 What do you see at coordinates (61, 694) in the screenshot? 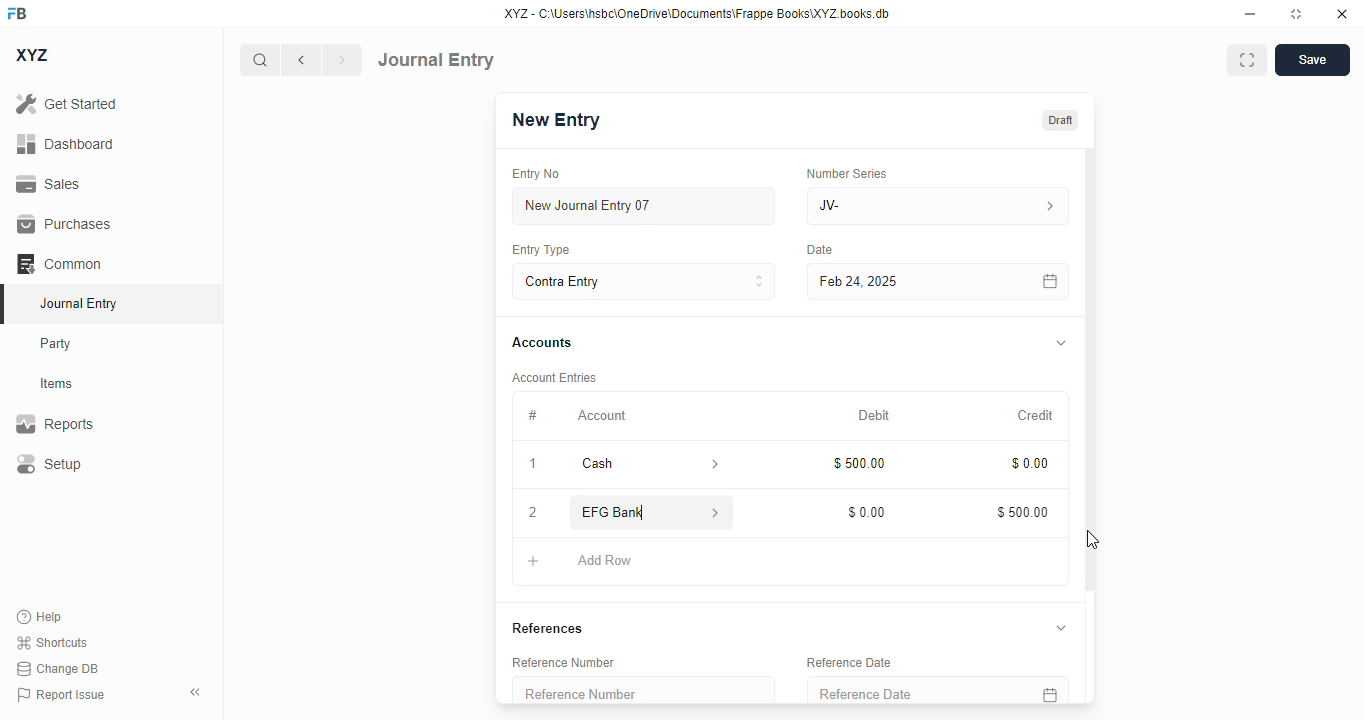
I see `report issue` at bounding box center [61, 694].